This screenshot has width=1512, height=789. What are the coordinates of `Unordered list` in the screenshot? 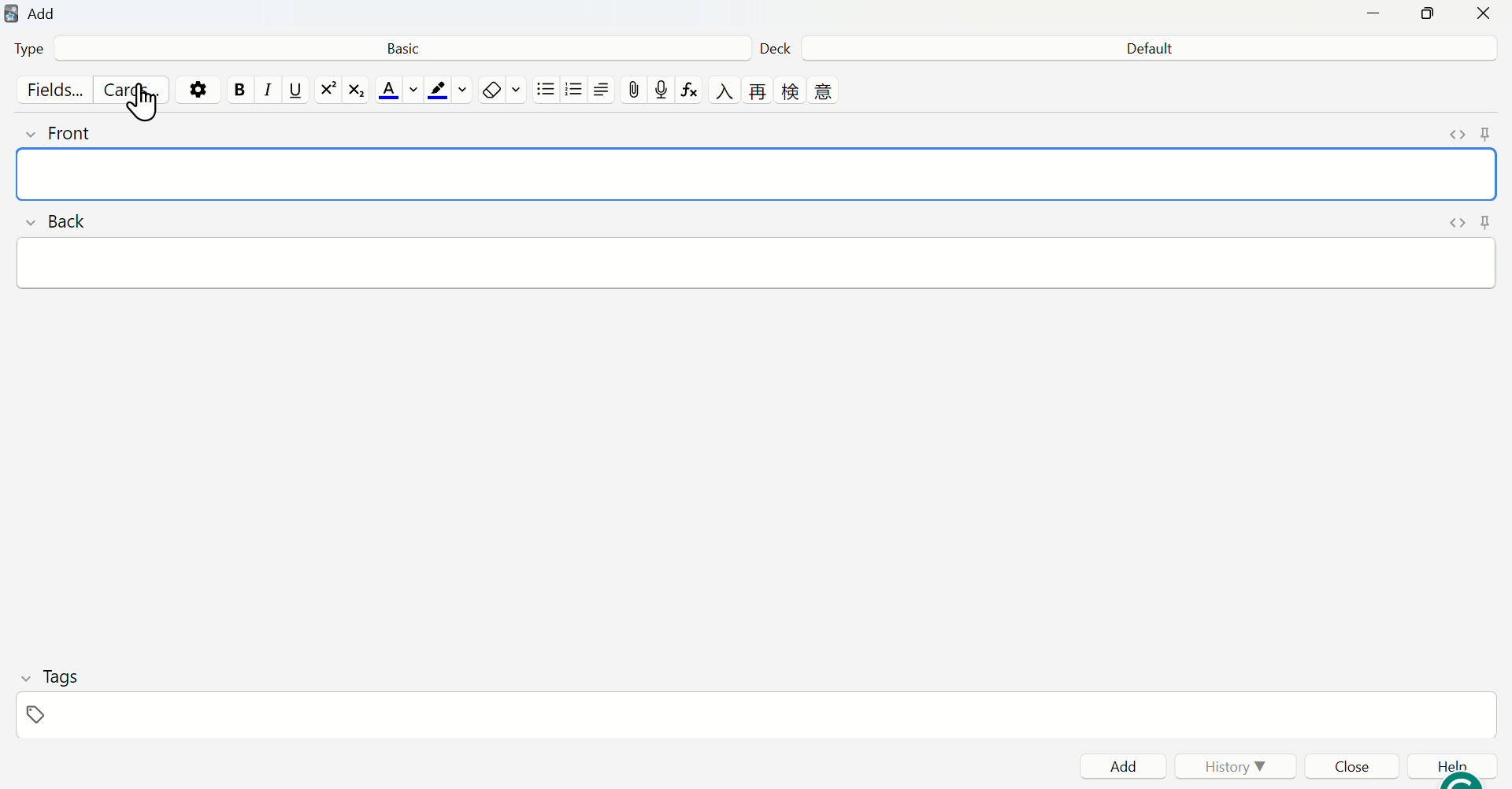 It's located at (575, 91).